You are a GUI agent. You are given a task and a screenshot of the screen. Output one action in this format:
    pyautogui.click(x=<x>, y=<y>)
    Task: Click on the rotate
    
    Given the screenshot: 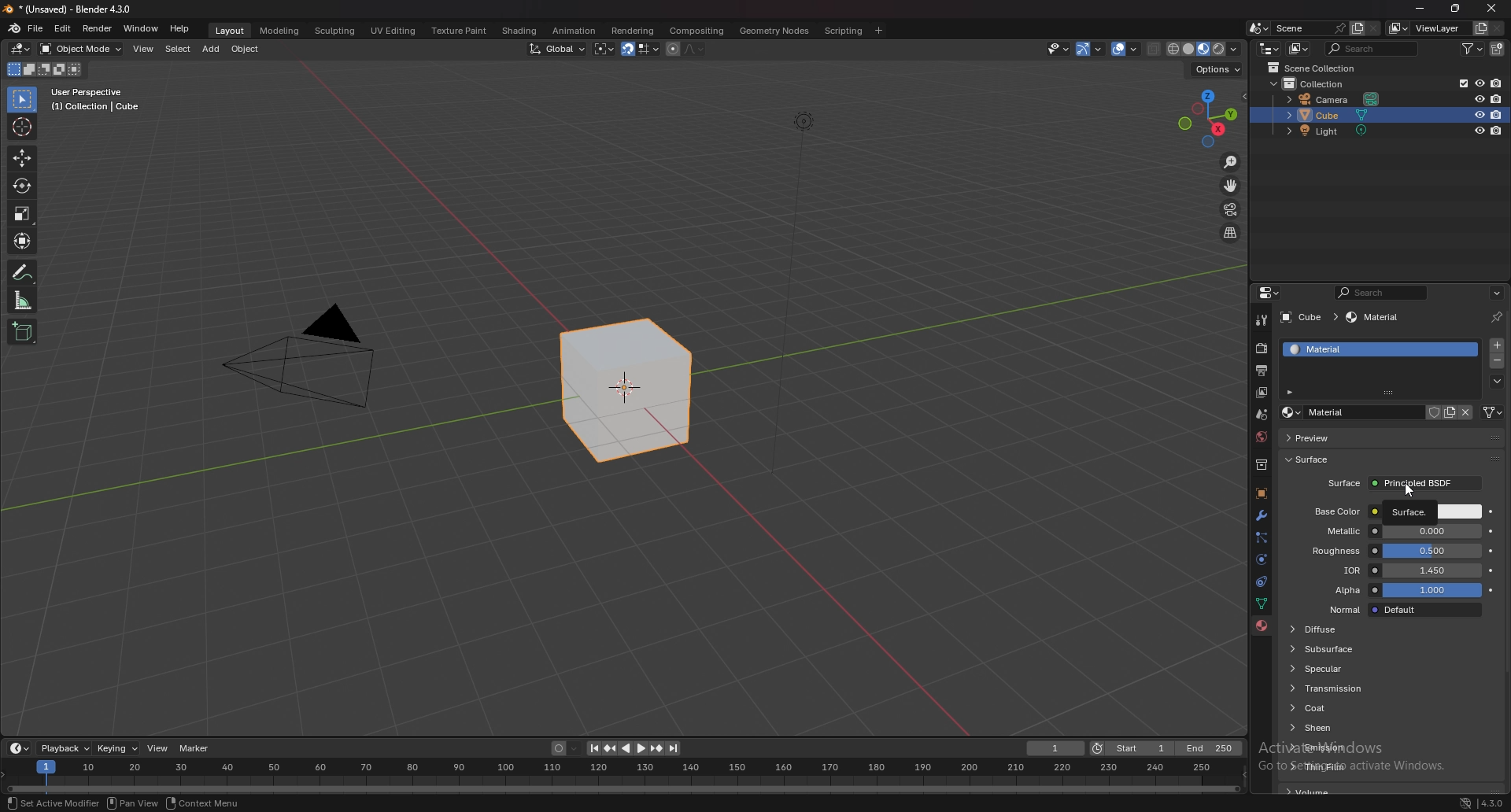 What is the action you would take?
    pyautogui.click(x=22, y=186)
    